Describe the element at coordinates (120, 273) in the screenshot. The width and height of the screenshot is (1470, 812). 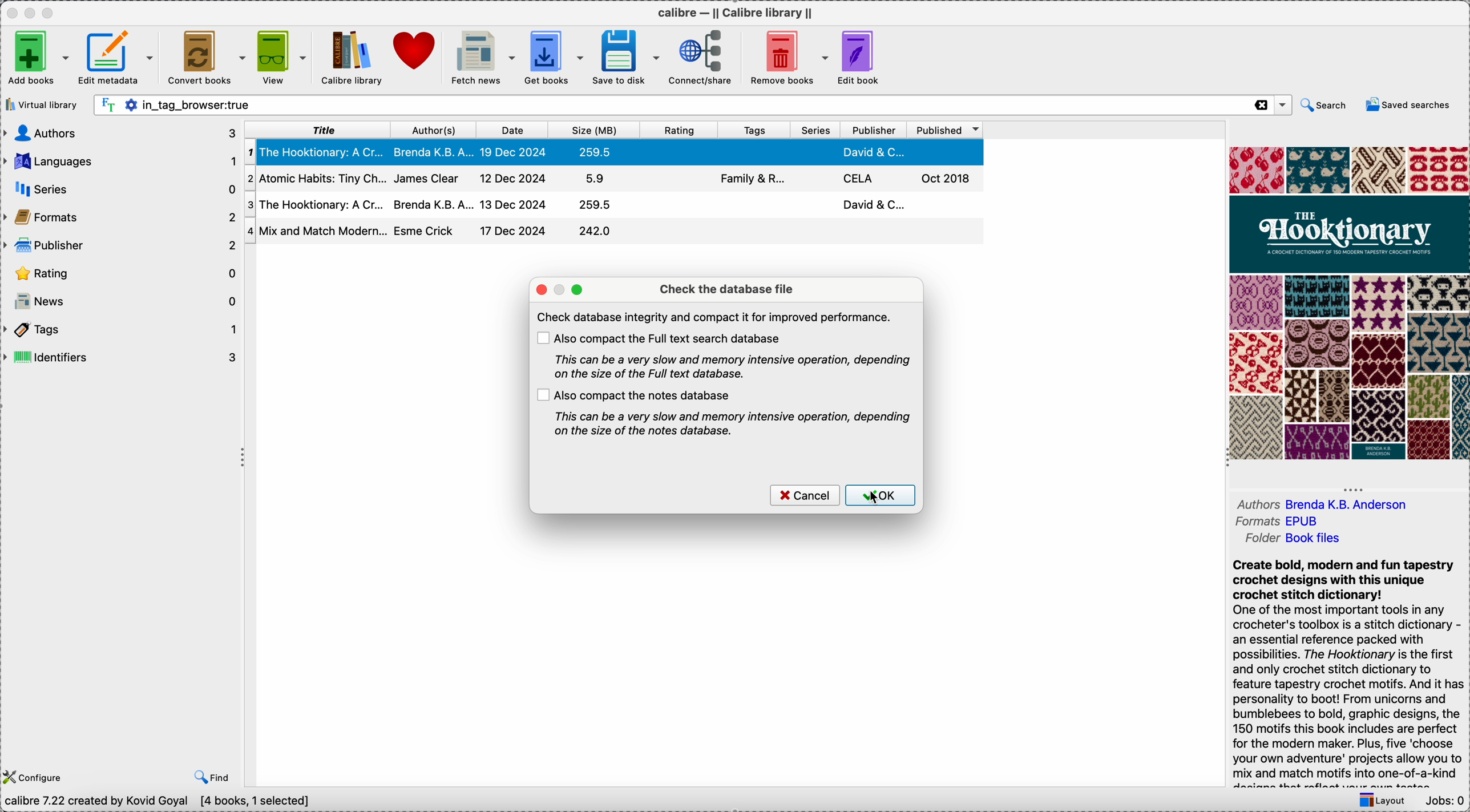
I see `rating` at that location.